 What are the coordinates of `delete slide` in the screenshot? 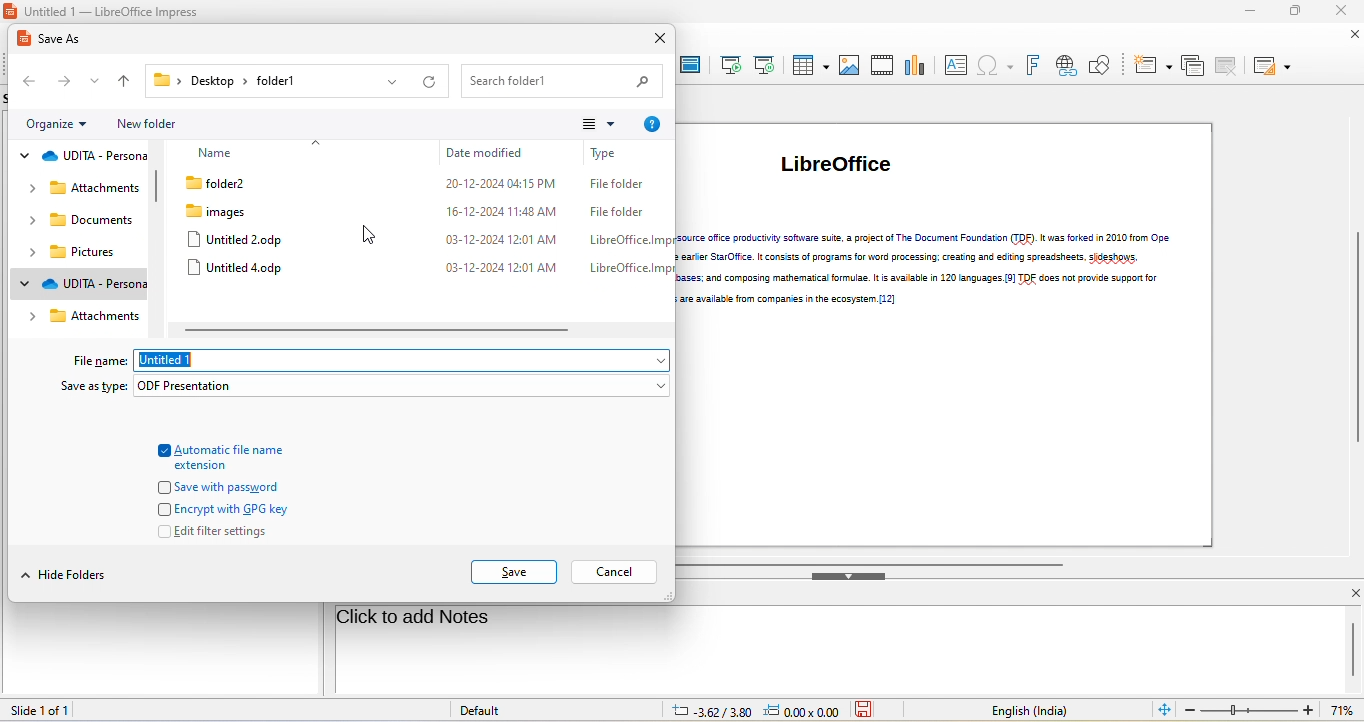 It's located at (1230, 66).